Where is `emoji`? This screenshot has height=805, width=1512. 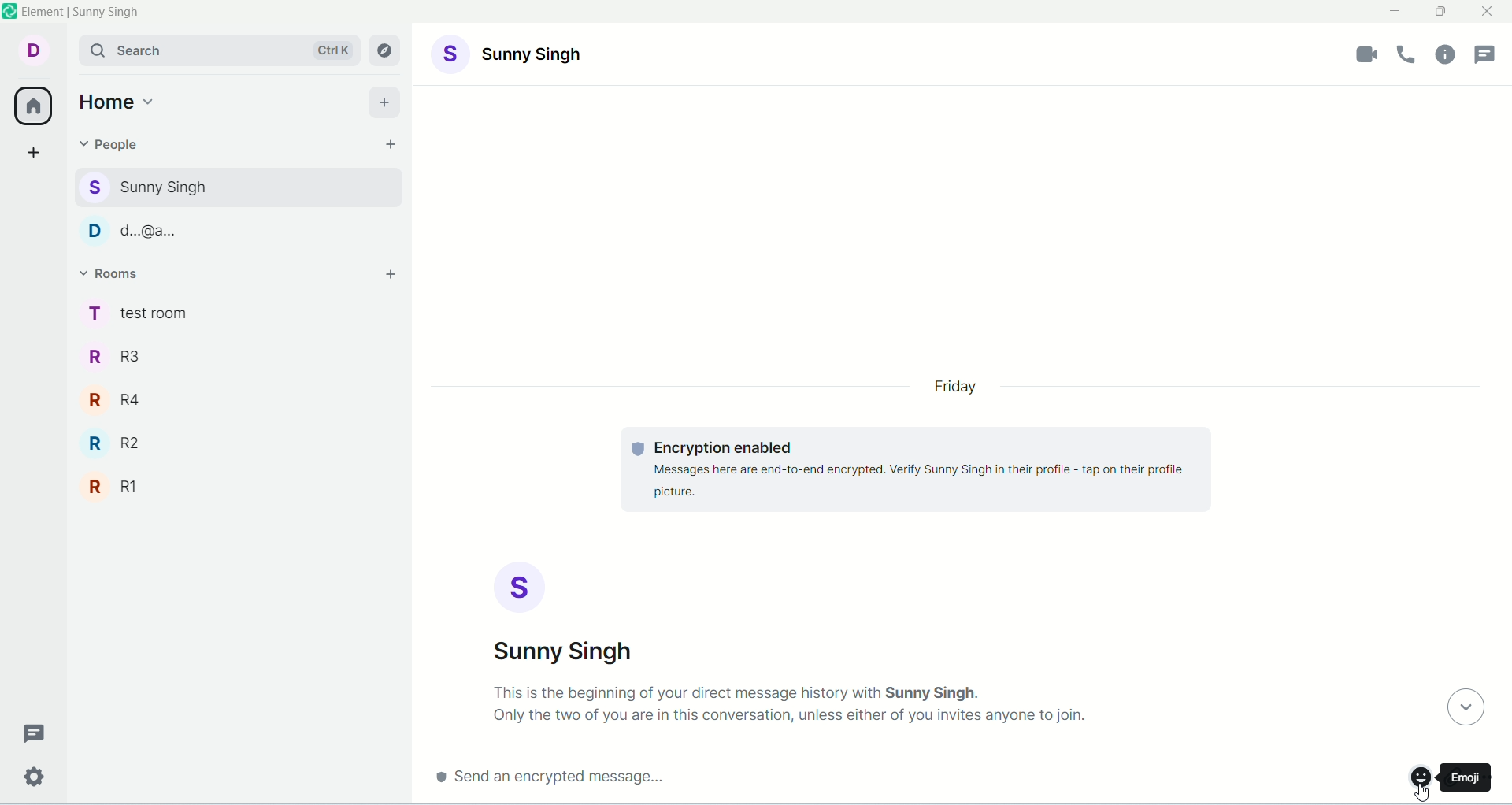
emoji is located at coordinates (1416, 779).